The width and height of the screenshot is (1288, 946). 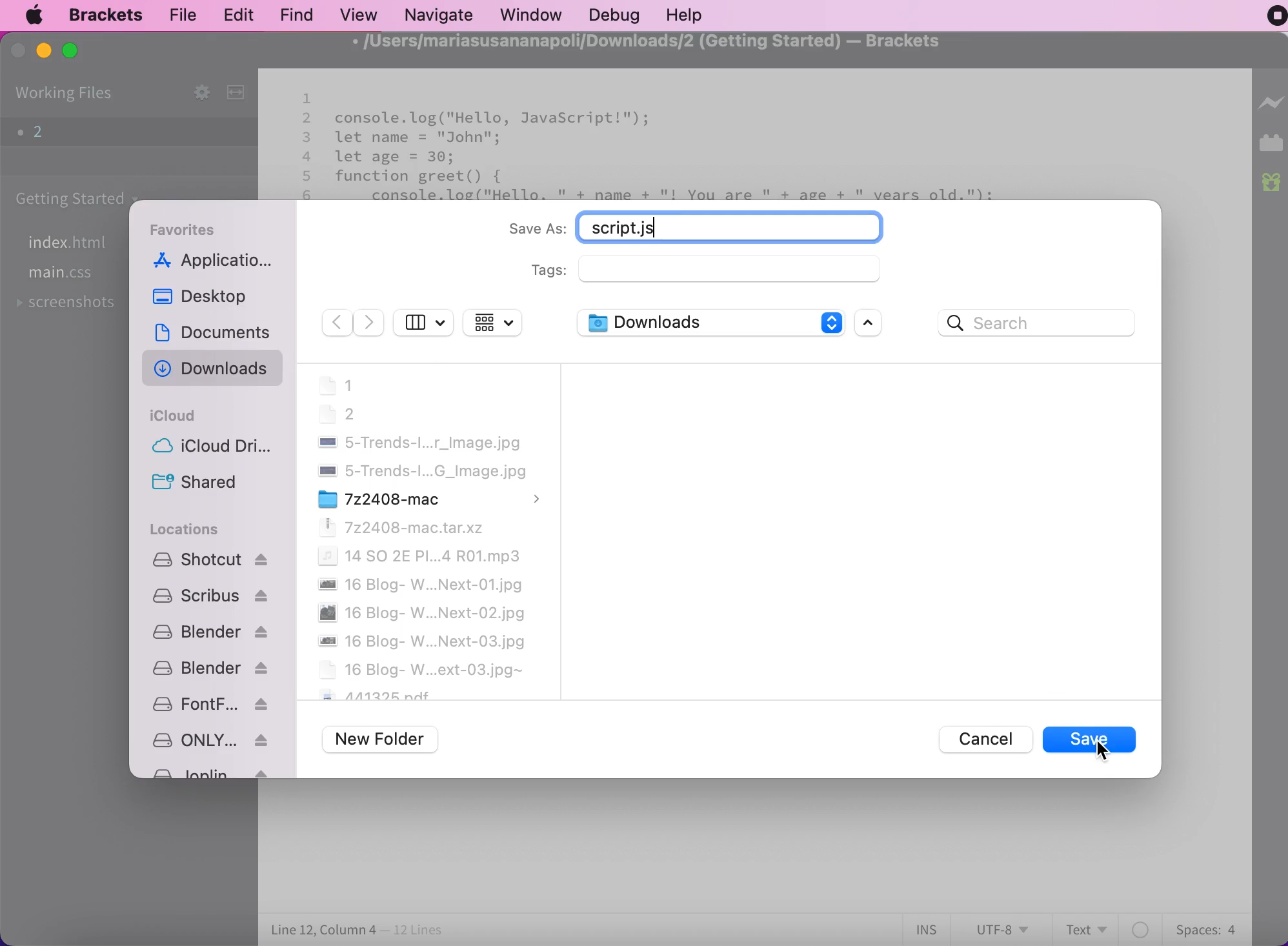 I want to click on index.html, so click(x=74, y=243).